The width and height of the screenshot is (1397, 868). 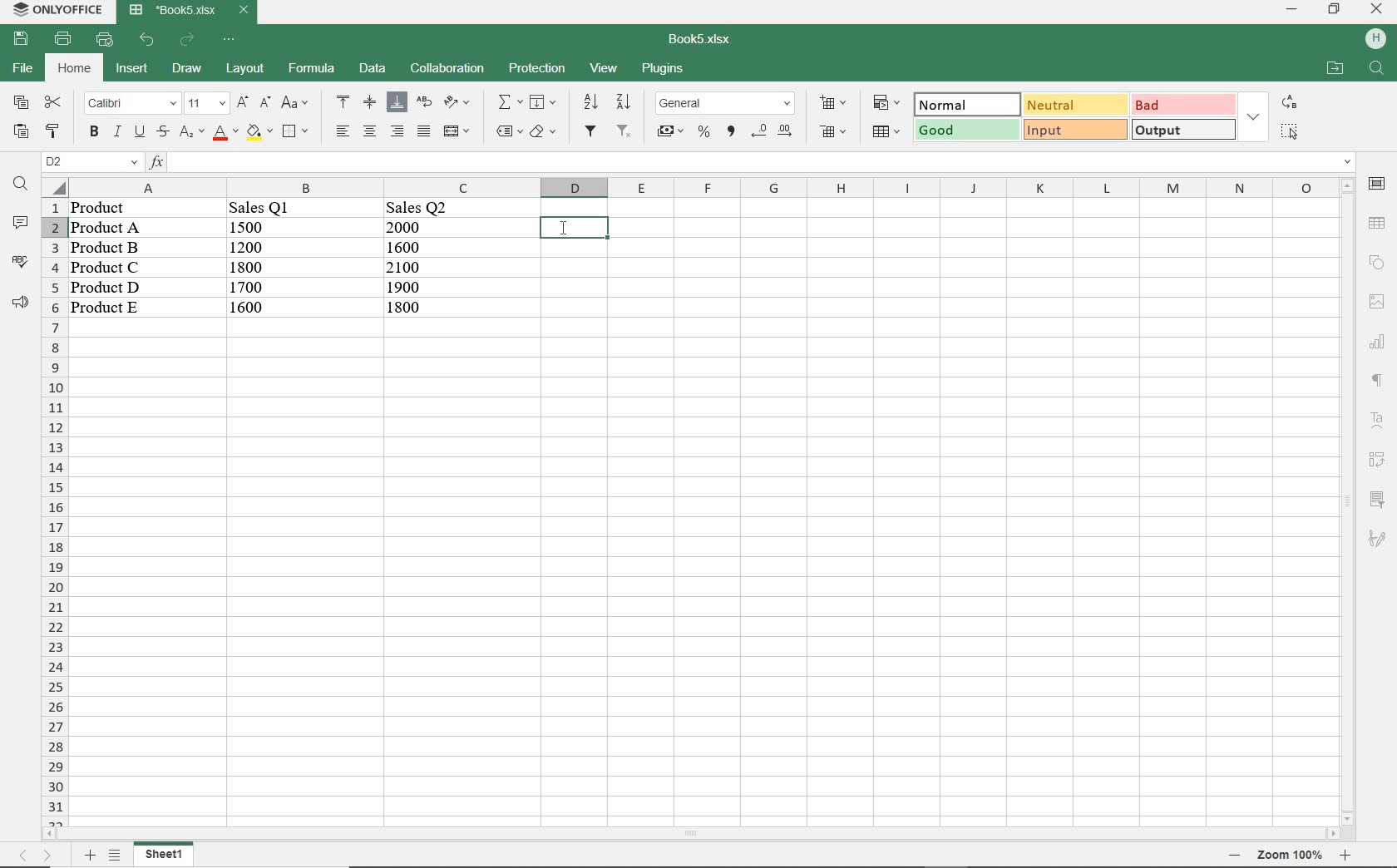 I want to click on sort descending, so click(x=624, y=101).